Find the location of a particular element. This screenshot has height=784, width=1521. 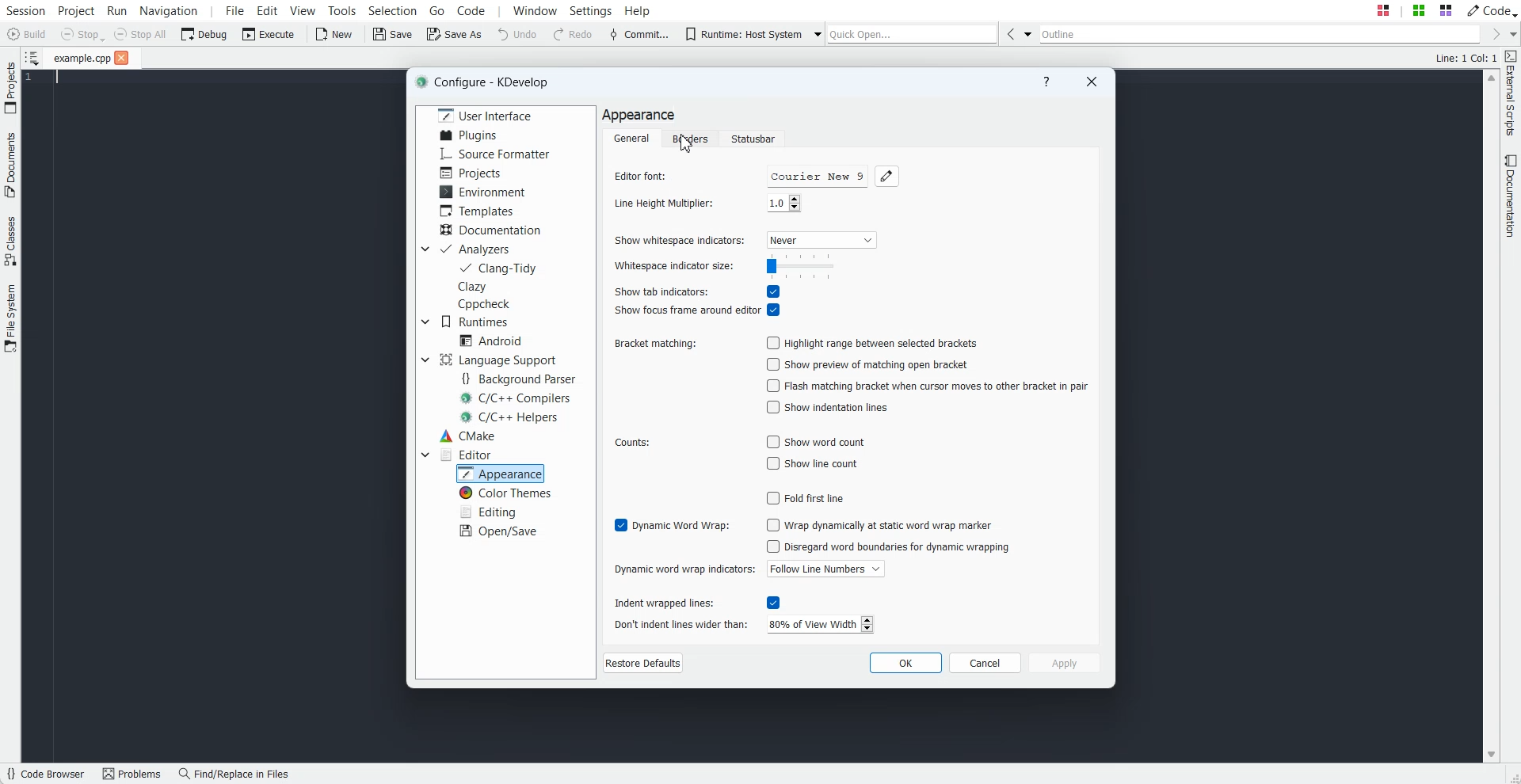

Drop down box is located at coordinates (1028, 33).